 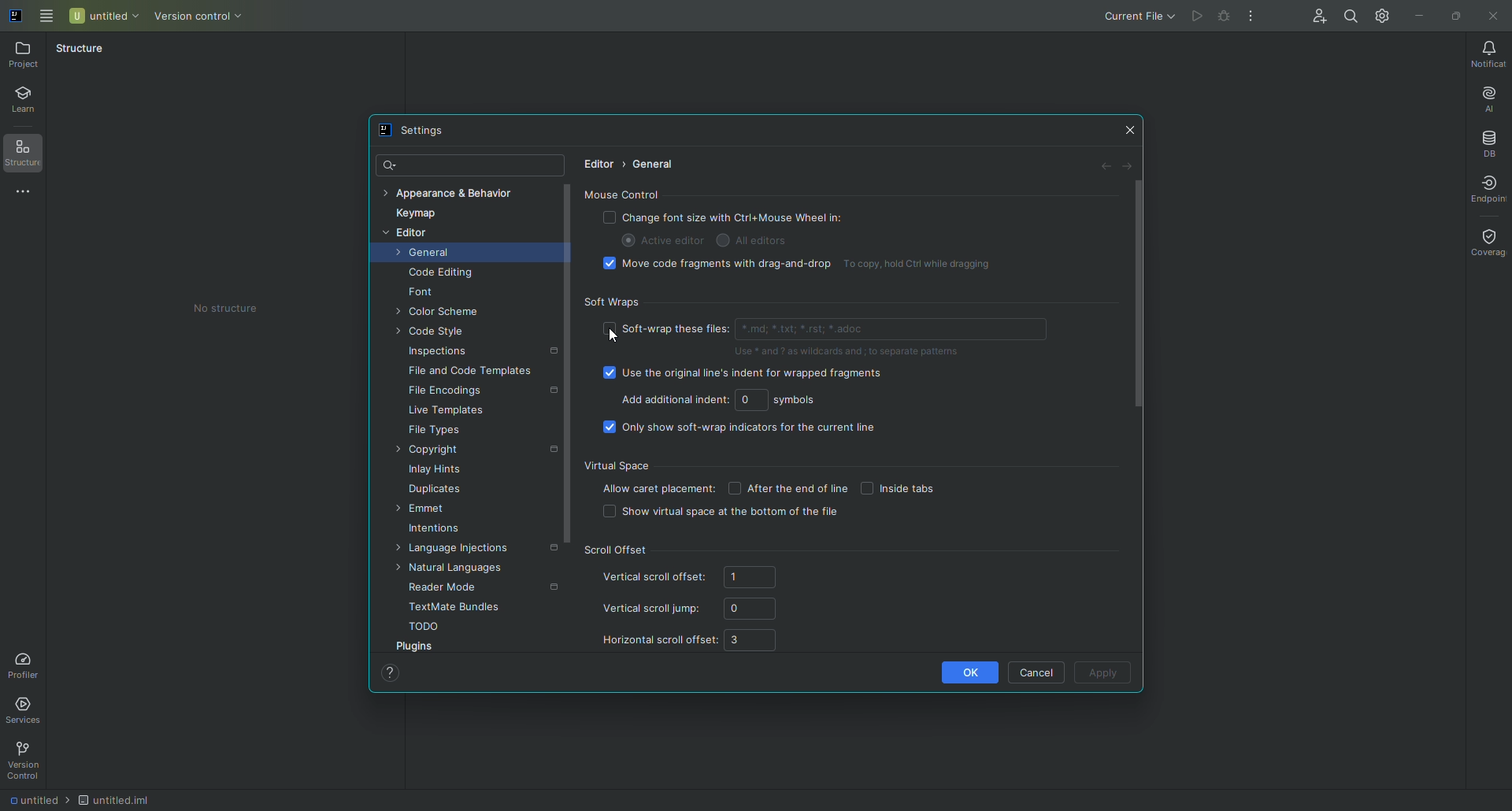 What do you see at coordinates (1488, 187) in the screenshot?
I see `Endpoints` at bounding box center [1488, 187].